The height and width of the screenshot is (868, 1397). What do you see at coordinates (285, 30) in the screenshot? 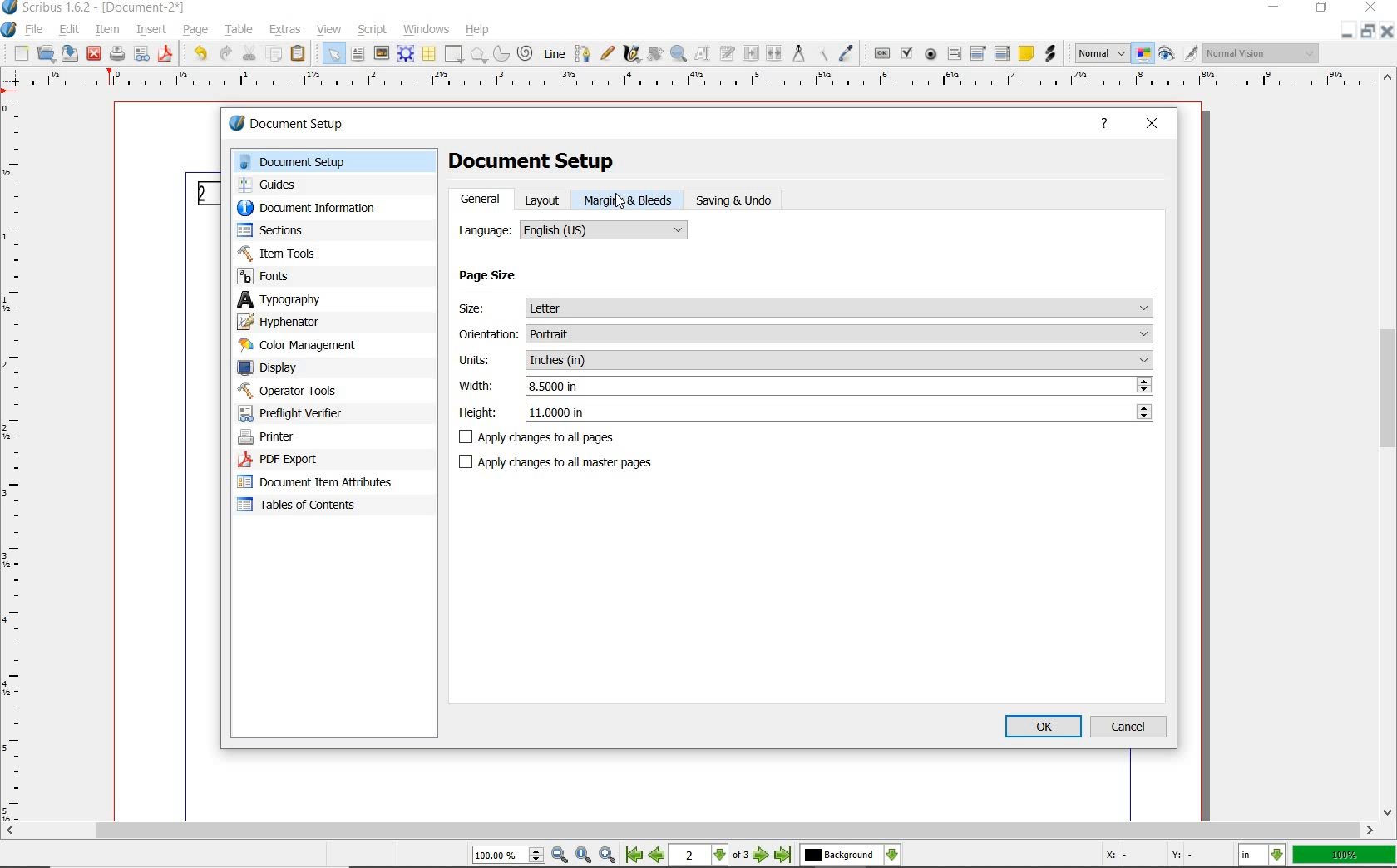
I see `extras` at bounding box center [285, 30].